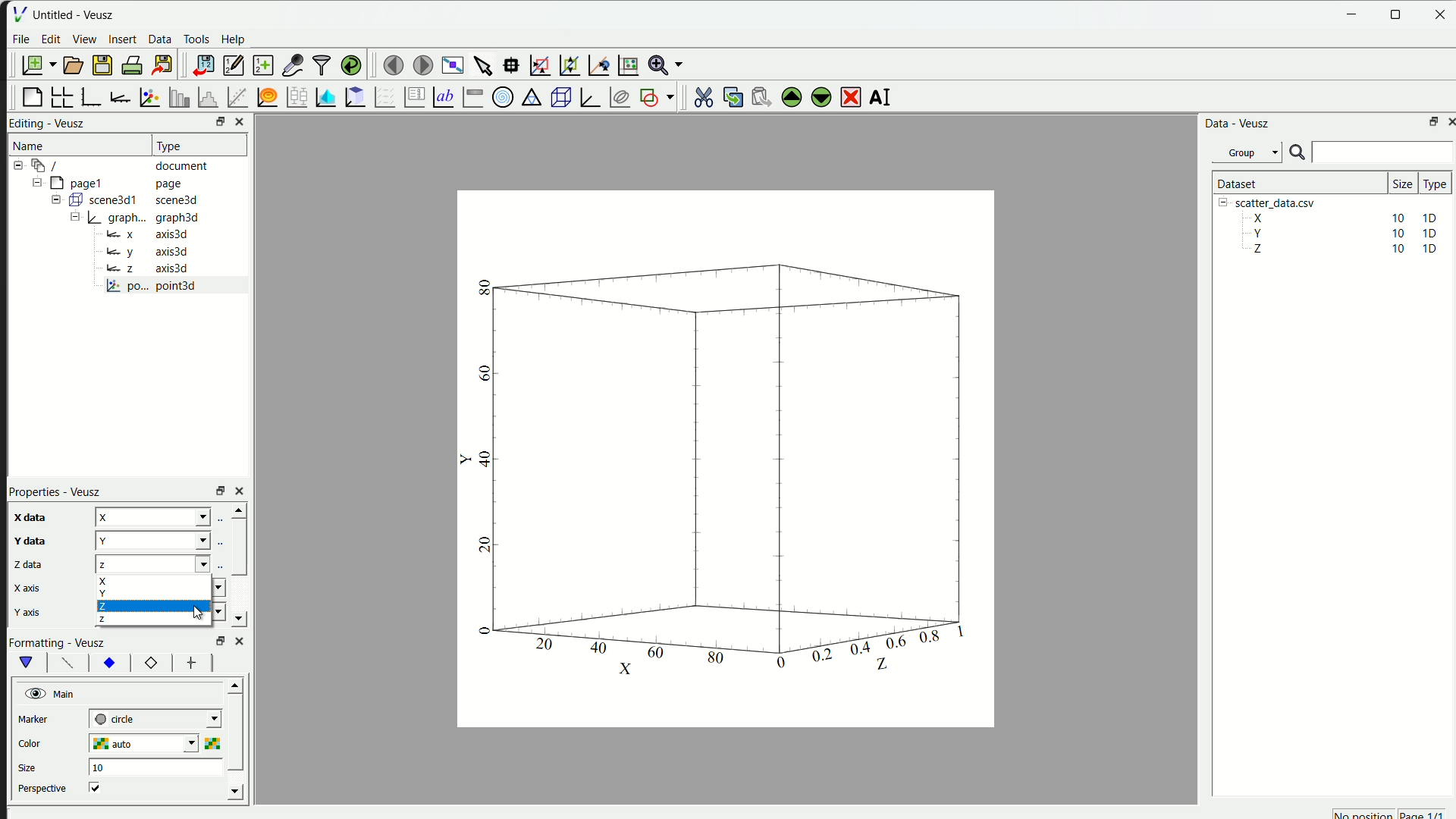  I want to click on plot points, so click(147, 98).